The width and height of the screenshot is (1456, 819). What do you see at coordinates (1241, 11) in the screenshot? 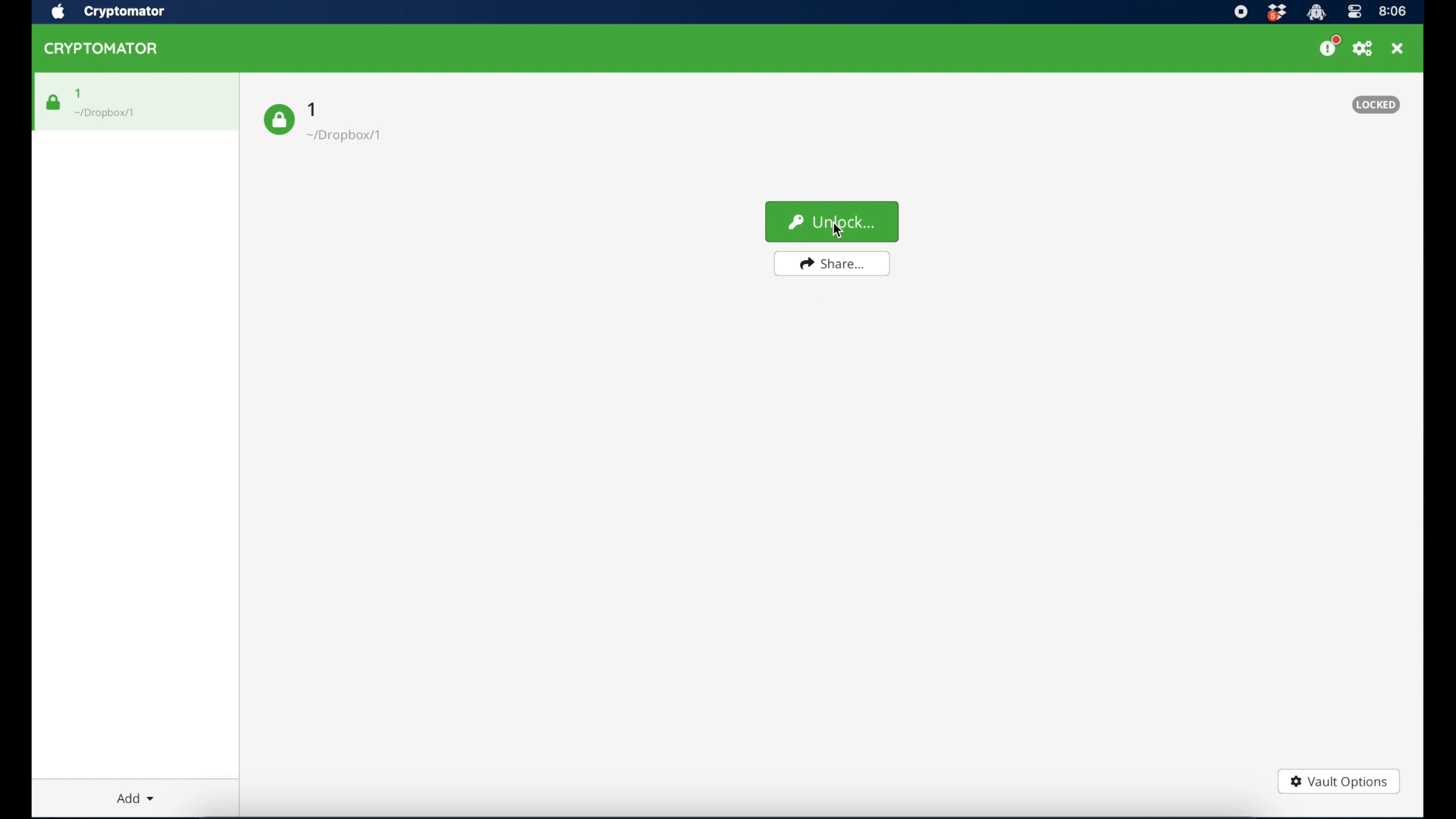
I see `screen recorder icon` at bounding box center [1241, 11].